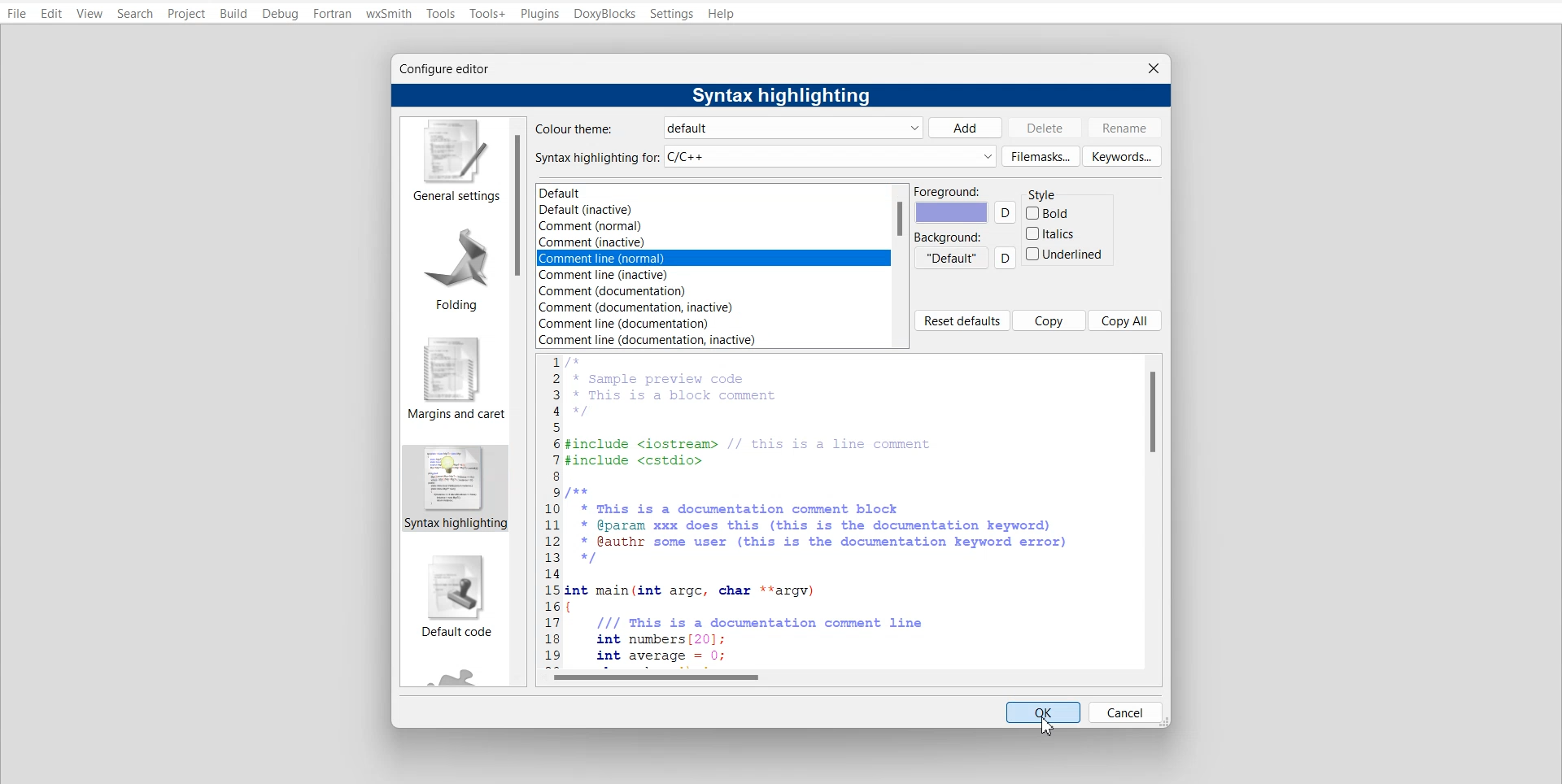 Image resolution: width=1562 pixels, height=784 pixels. I want to click on Copy all, so click(1126, 320).